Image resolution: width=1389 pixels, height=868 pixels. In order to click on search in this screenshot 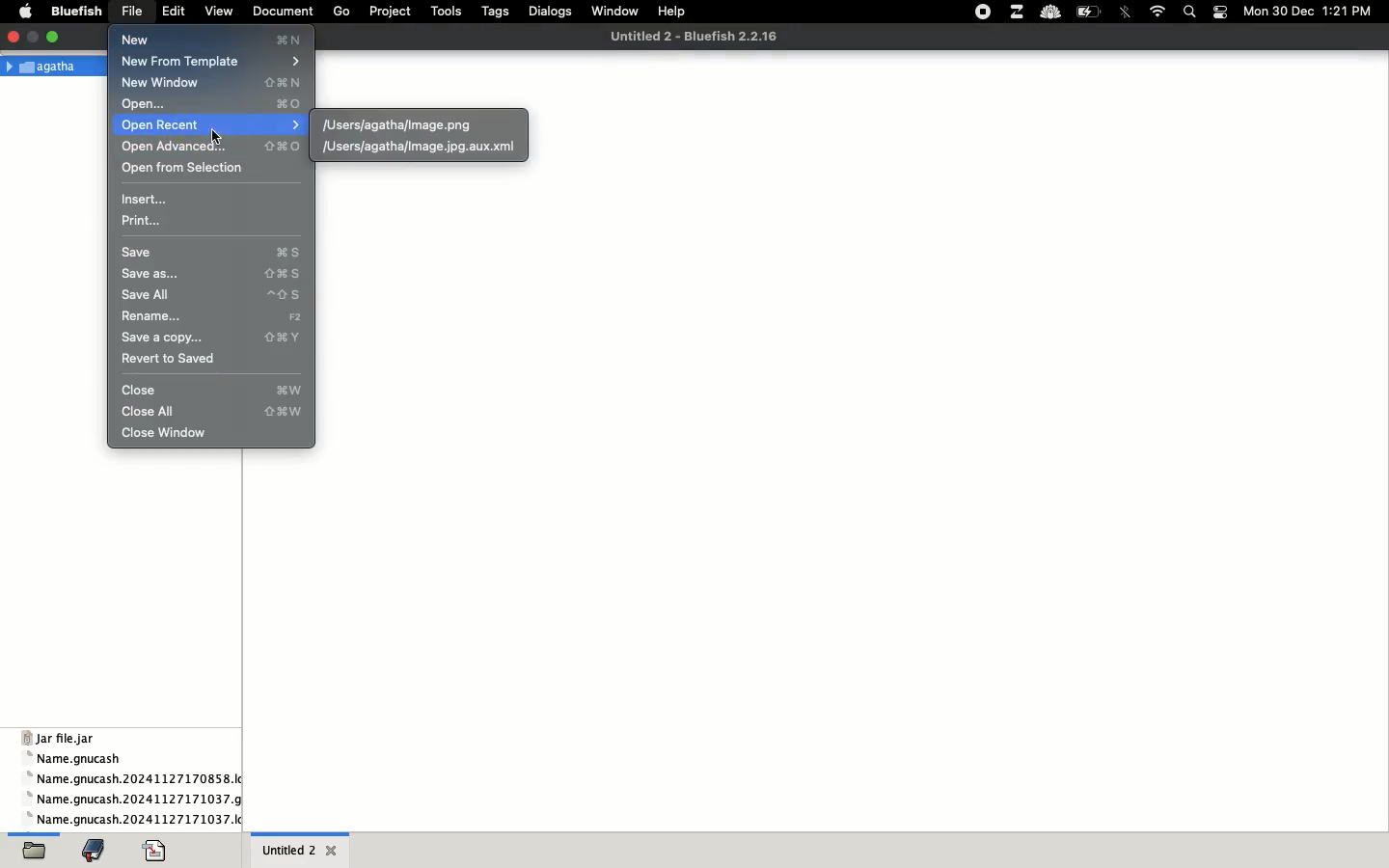, I will do `click(1189, 12)`.